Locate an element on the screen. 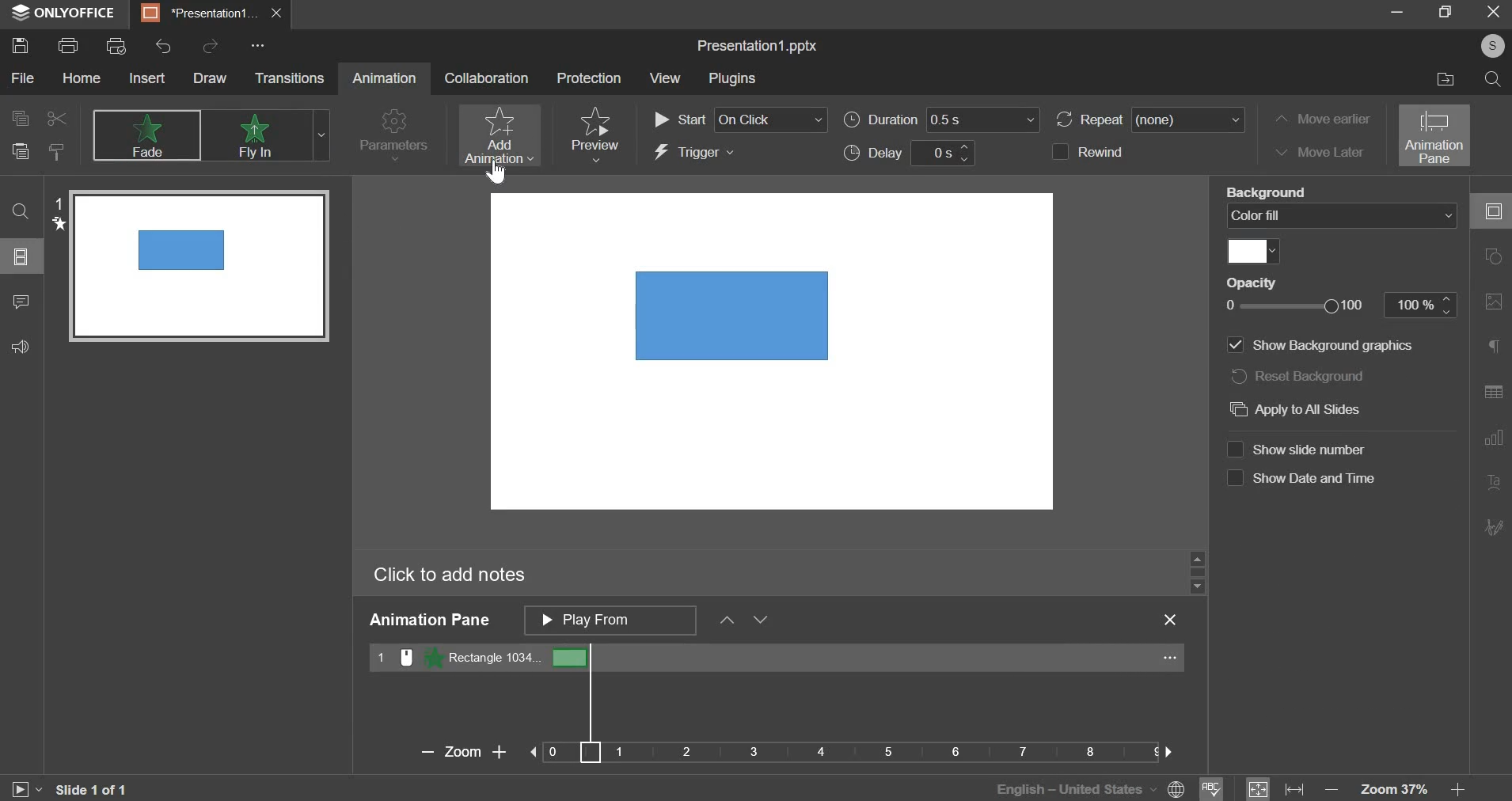 Image resolution: width=1512 pixels, height=801 pixels. Animation is located at coordinates (386, 80).